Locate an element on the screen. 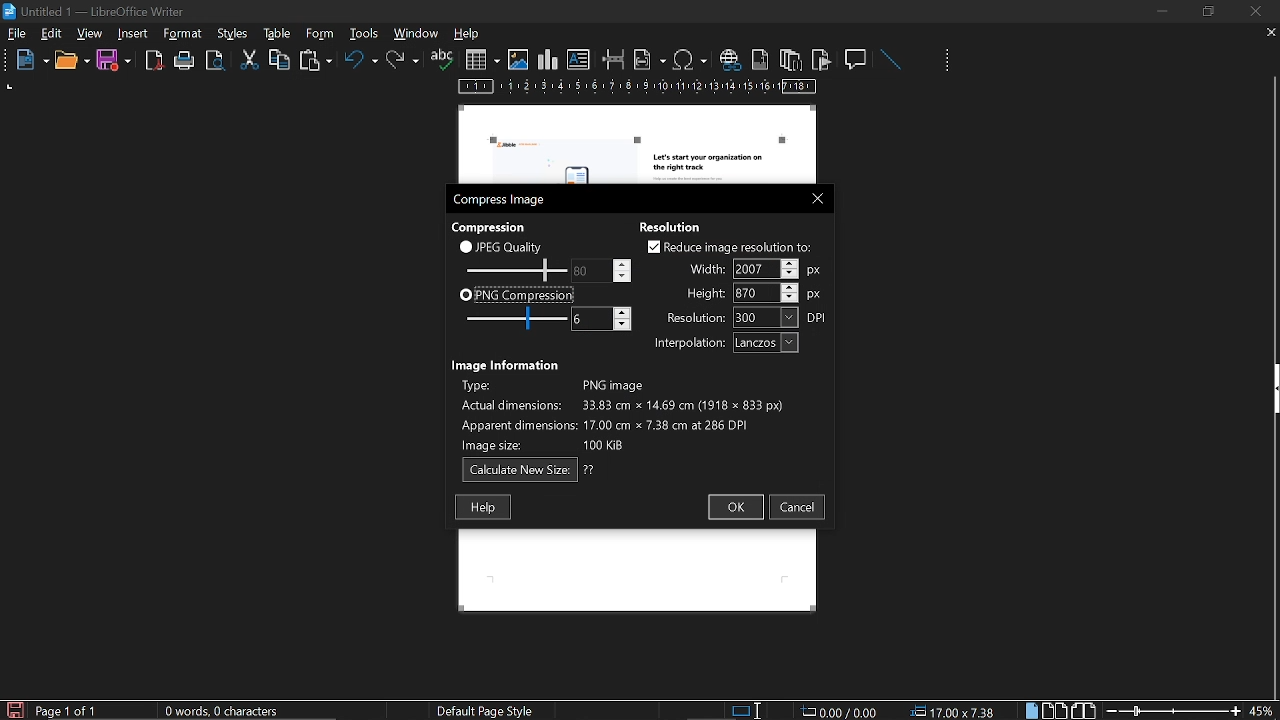 The height and width of the screenshot is (720, 1280). change zoom is located at coordinates (1173, 710).